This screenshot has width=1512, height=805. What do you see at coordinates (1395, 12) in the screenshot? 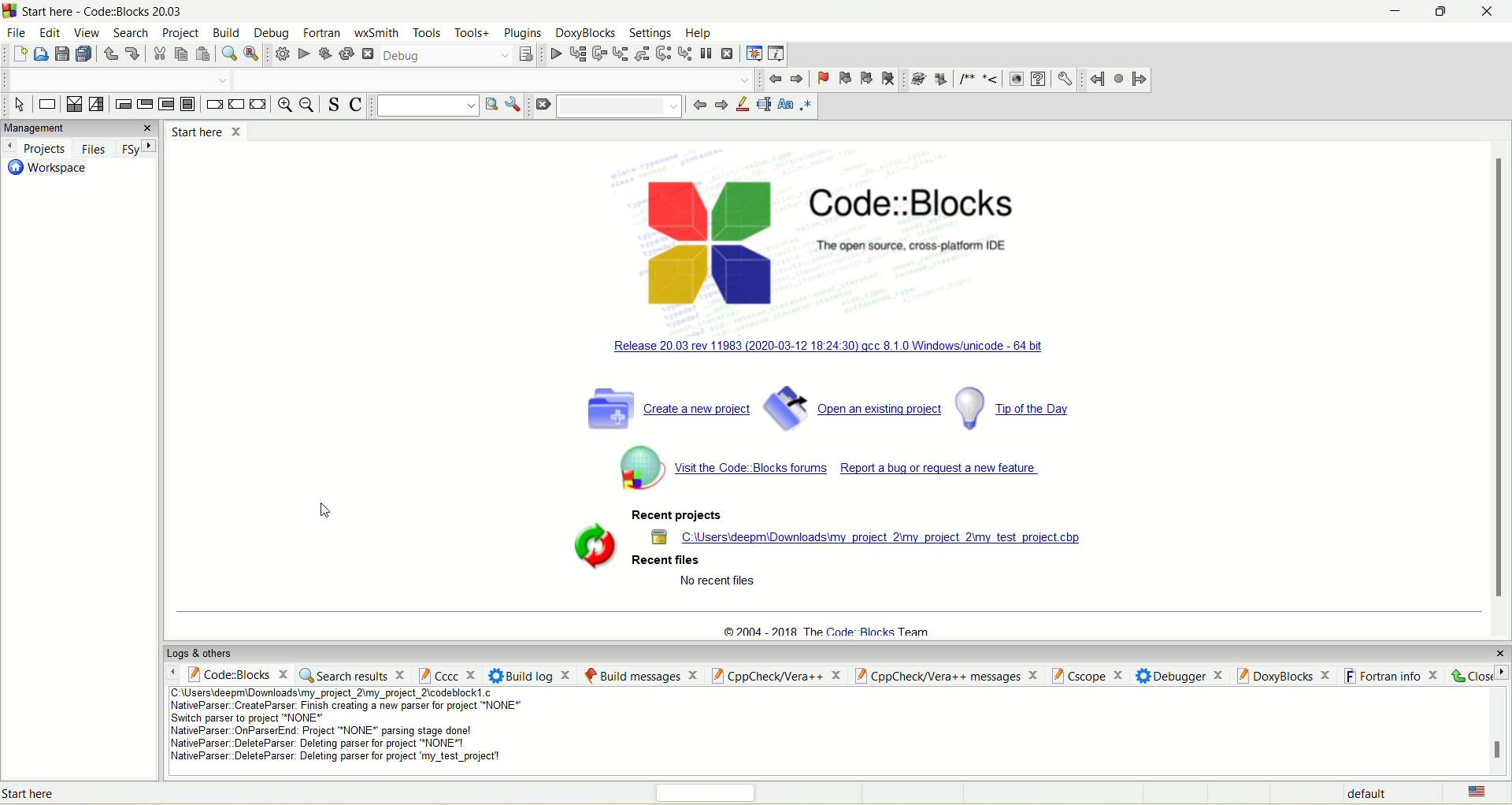
I see `minimize` at bounding box center [1395, 12].